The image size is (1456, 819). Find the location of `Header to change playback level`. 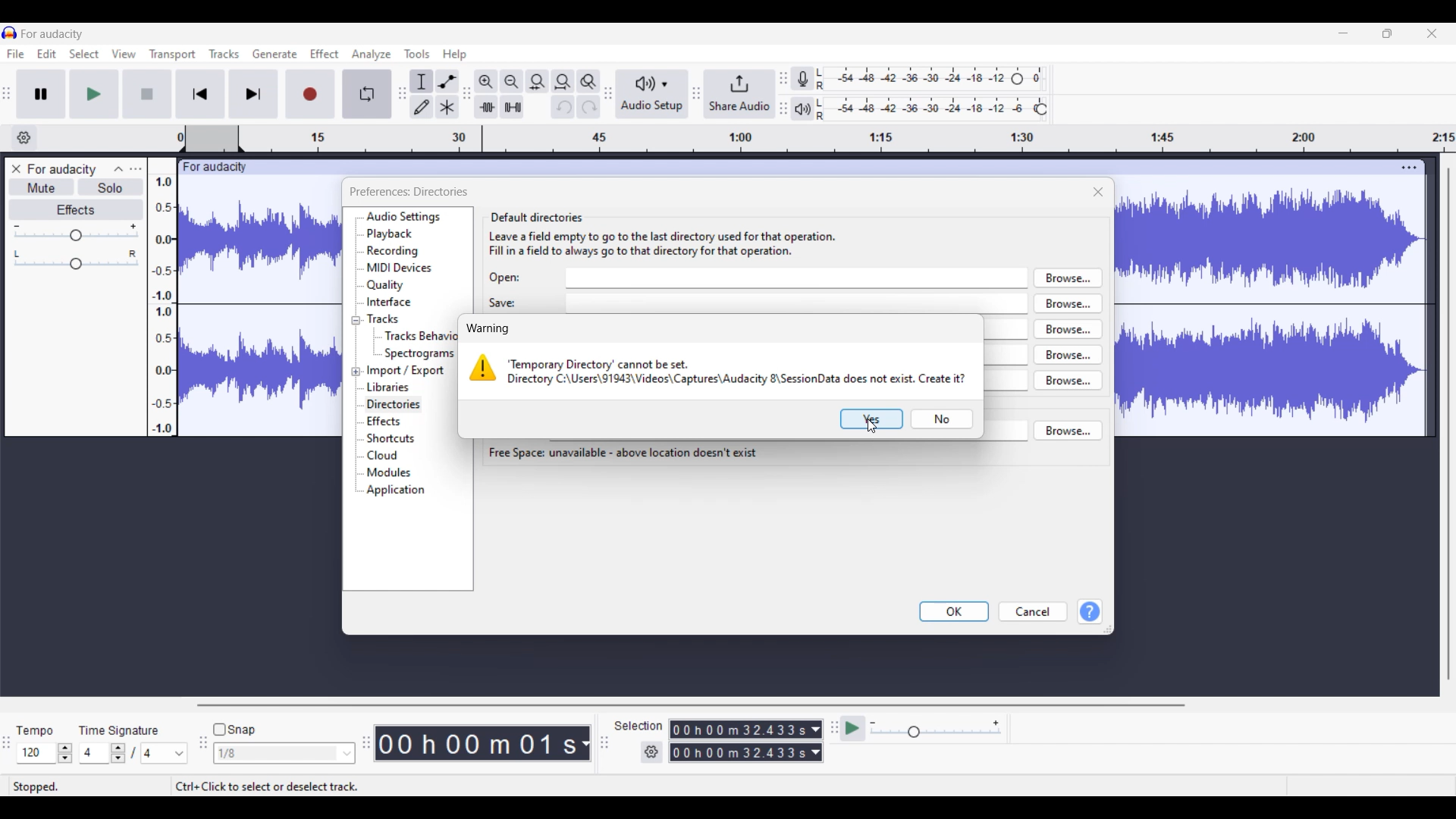

Header to change playback level is located at coordinates (1042, 109).